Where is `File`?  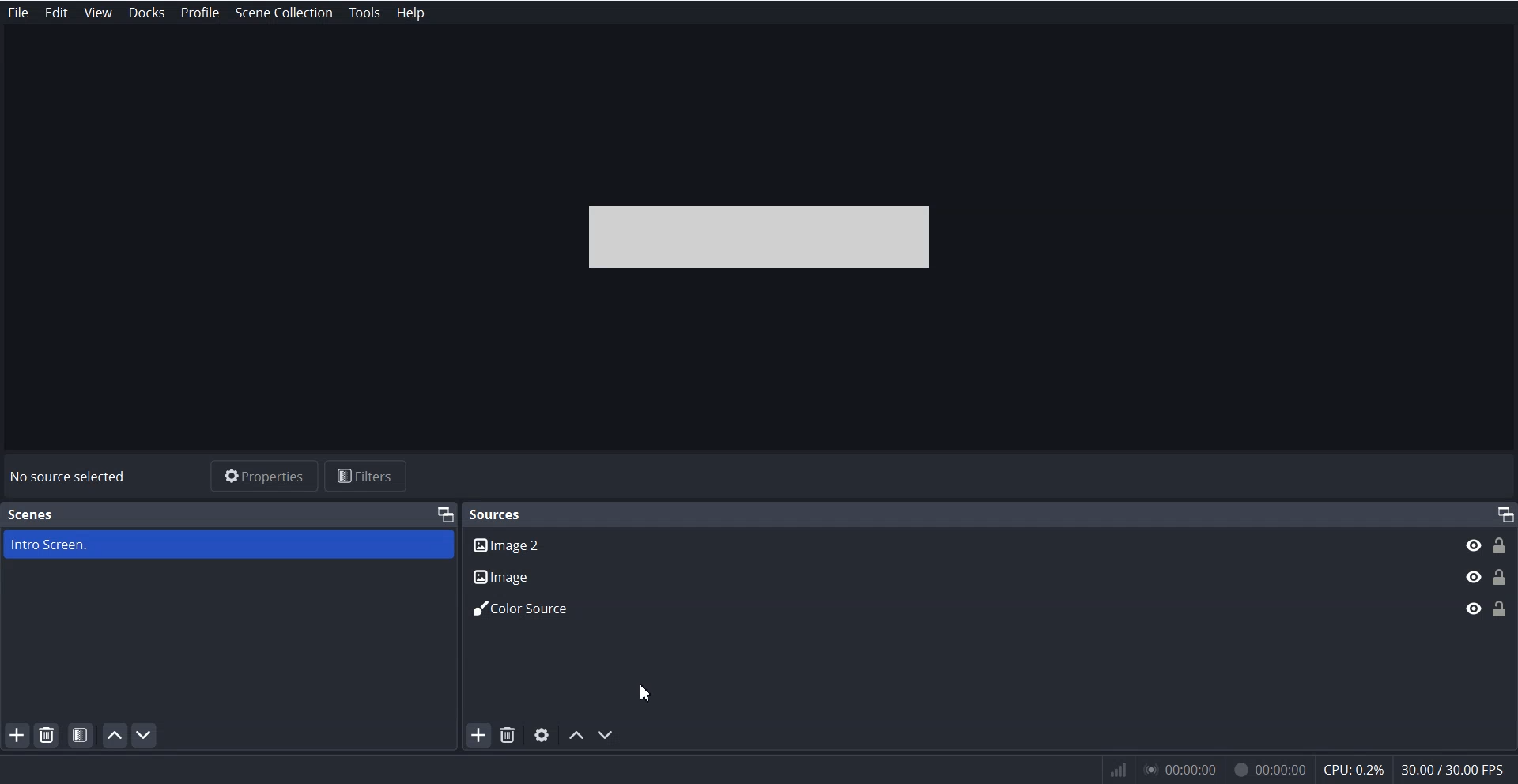
File is located at coordinates (19, 13).